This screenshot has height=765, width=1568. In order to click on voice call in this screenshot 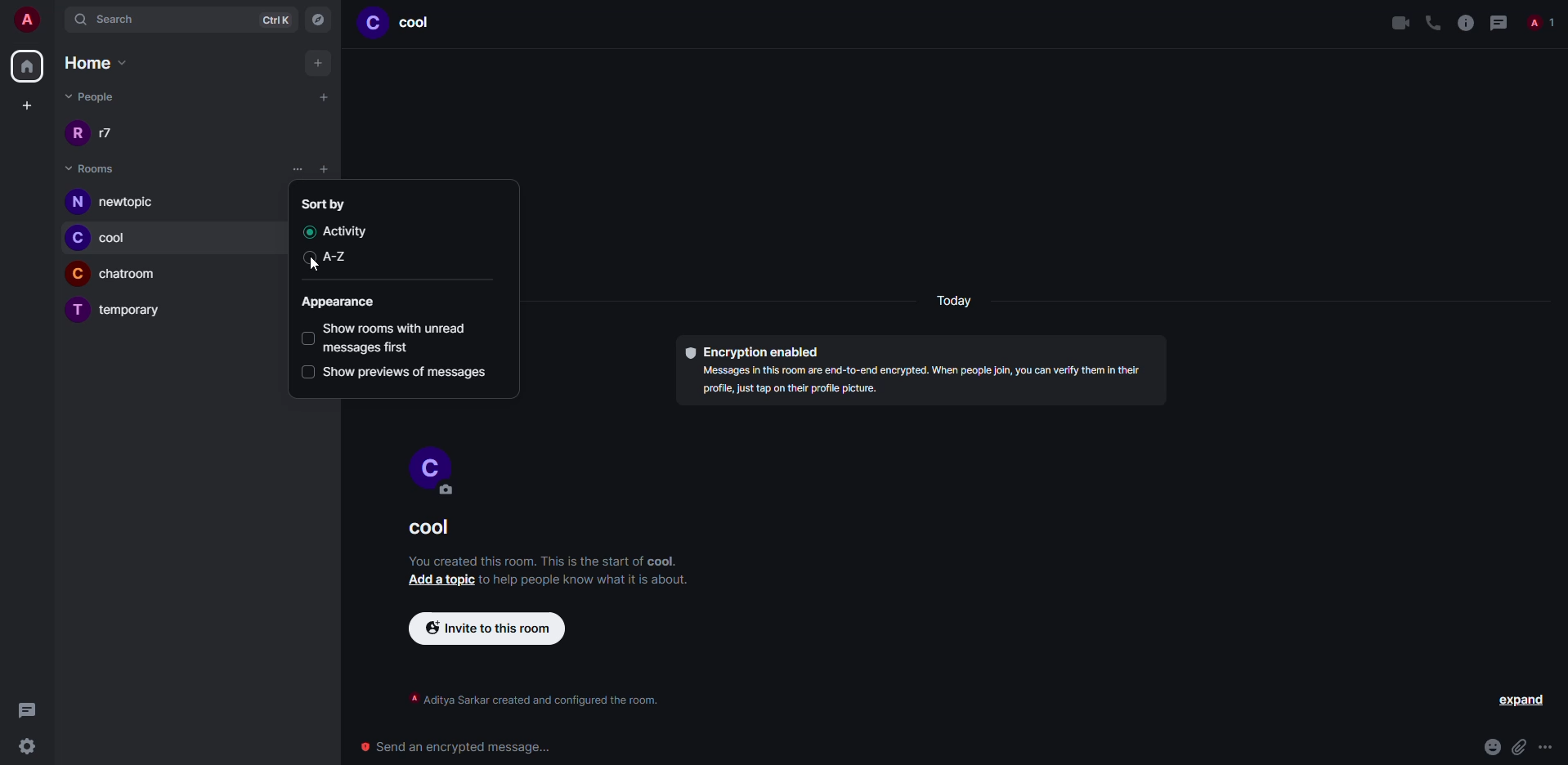, I will do `click(1432, 22)`.